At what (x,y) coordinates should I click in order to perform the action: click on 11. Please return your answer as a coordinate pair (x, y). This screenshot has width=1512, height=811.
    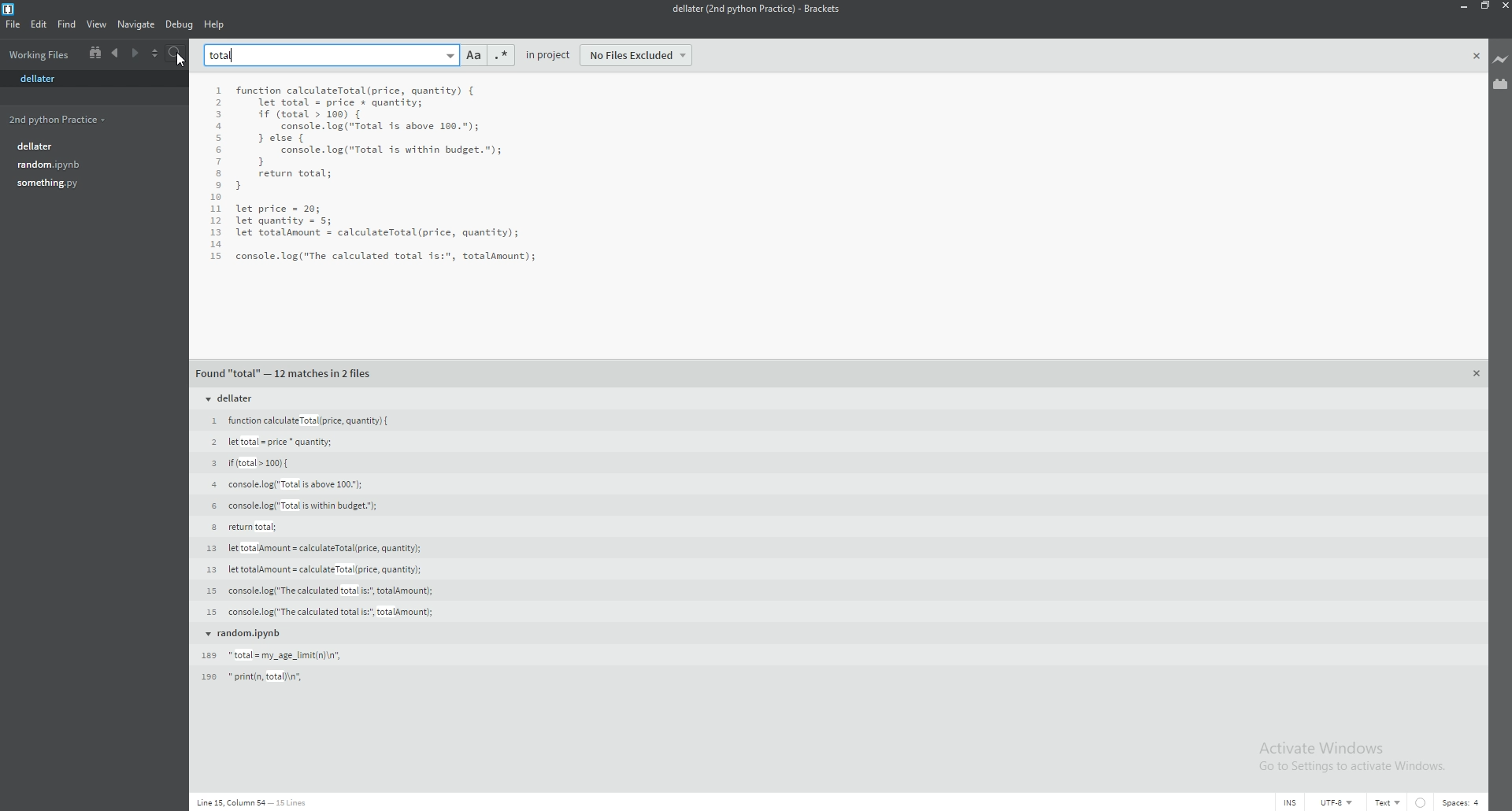
    Looking at the image, I should click on (216, 209).